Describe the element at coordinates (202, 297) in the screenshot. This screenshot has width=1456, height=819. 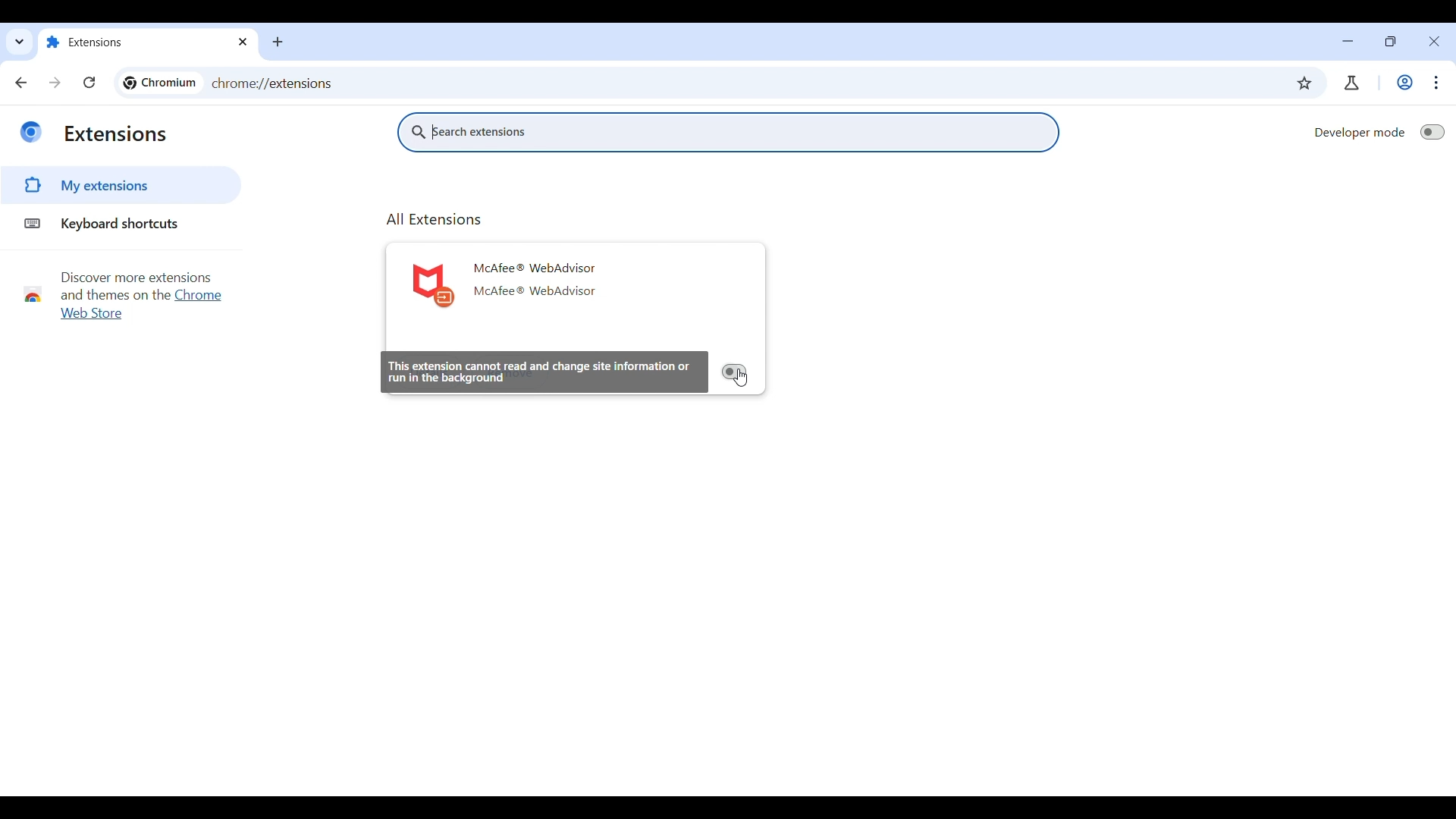
I see ` Chrome` at that location.